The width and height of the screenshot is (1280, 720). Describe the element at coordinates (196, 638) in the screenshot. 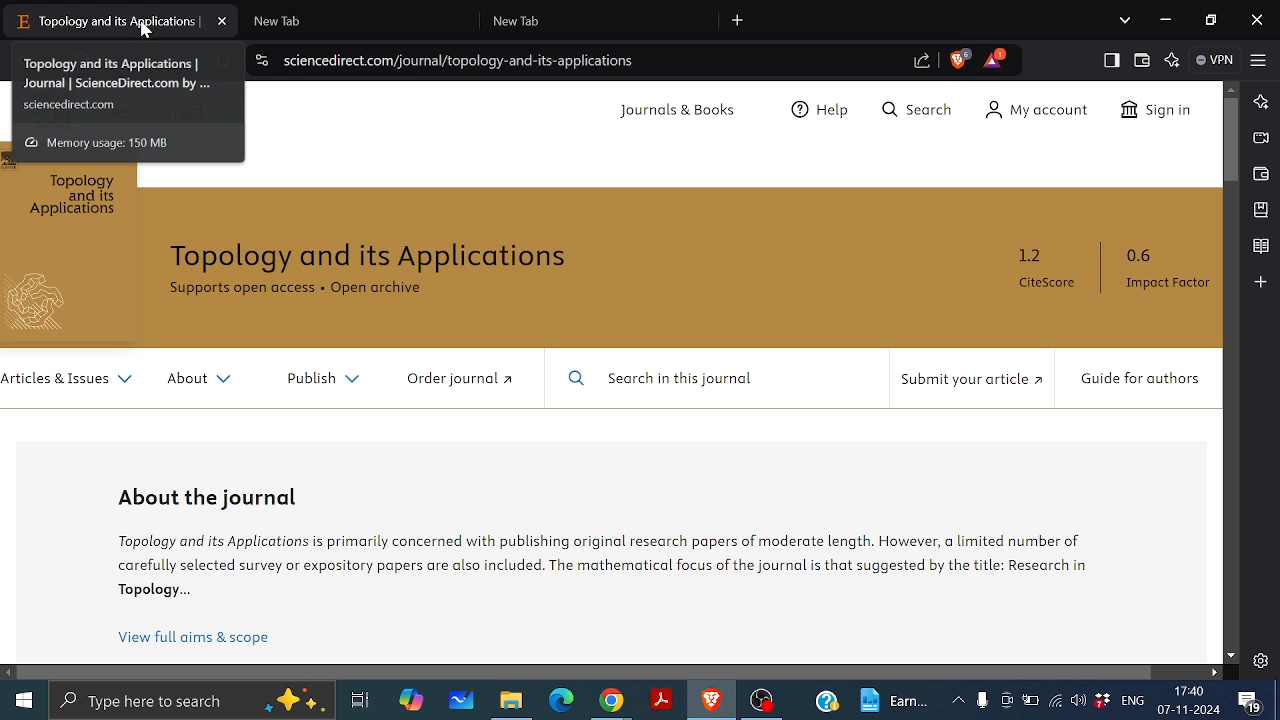

I see `View full aims & scope` at that location.